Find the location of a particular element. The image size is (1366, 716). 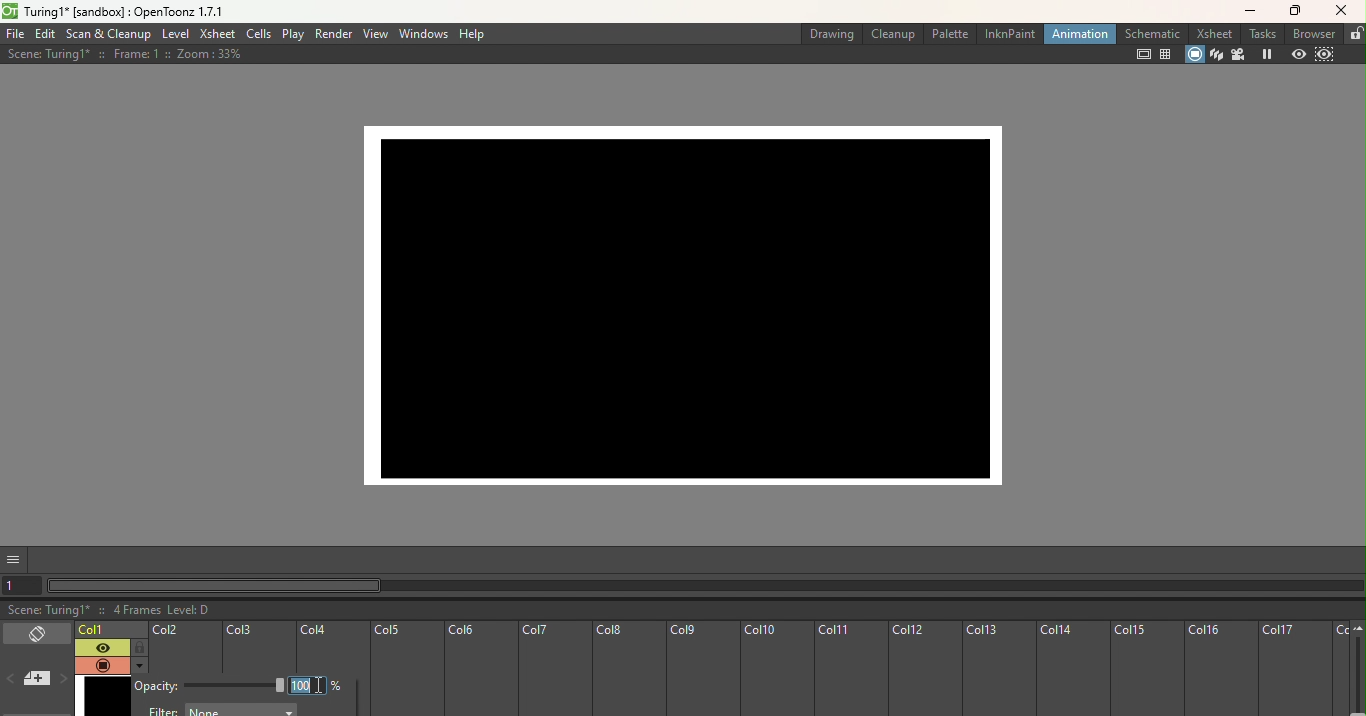

3d View is located at coordinates (1216, 54).